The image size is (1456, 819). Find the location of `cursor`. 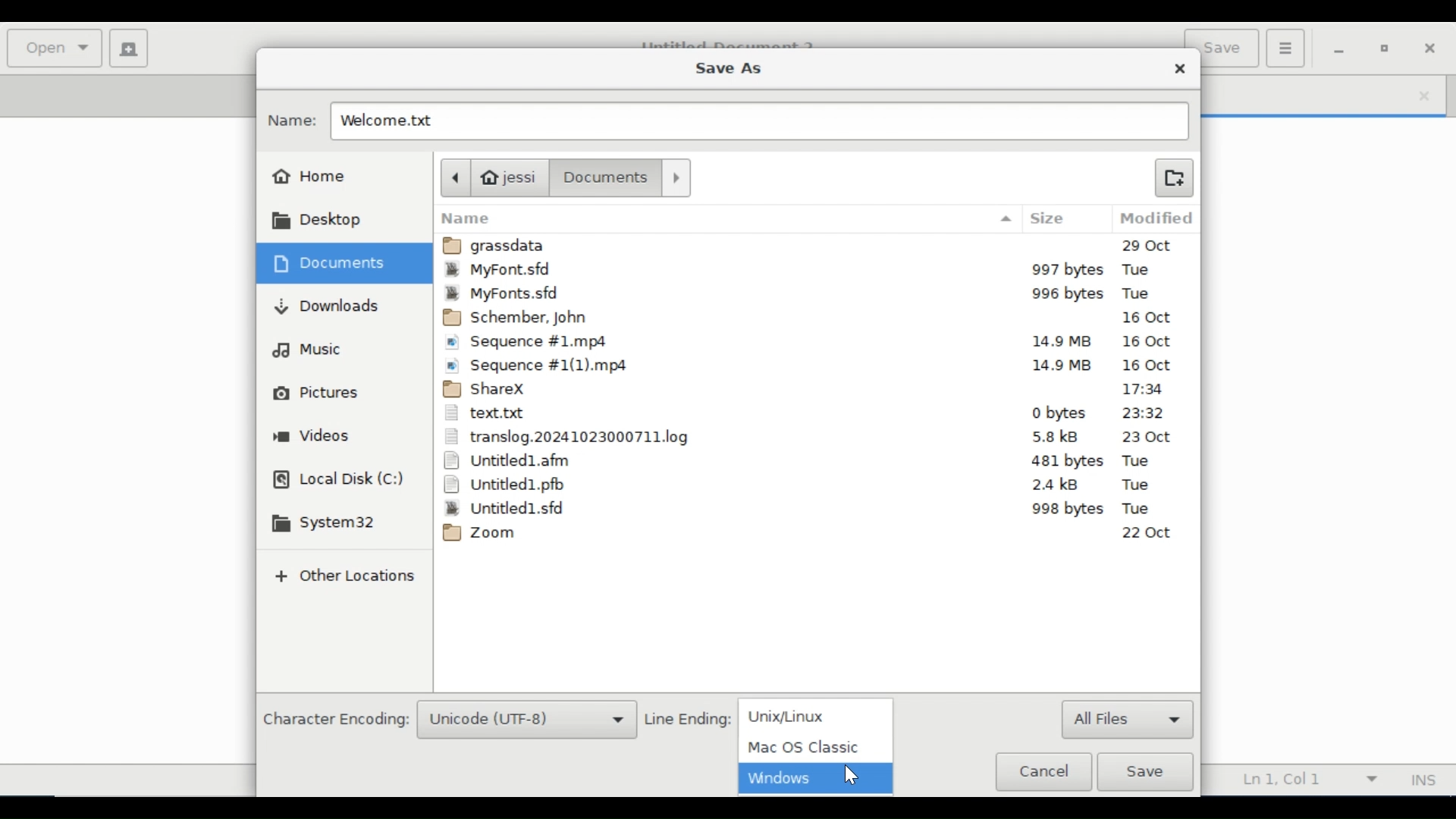

cursor is located at coordinates (856, 776).